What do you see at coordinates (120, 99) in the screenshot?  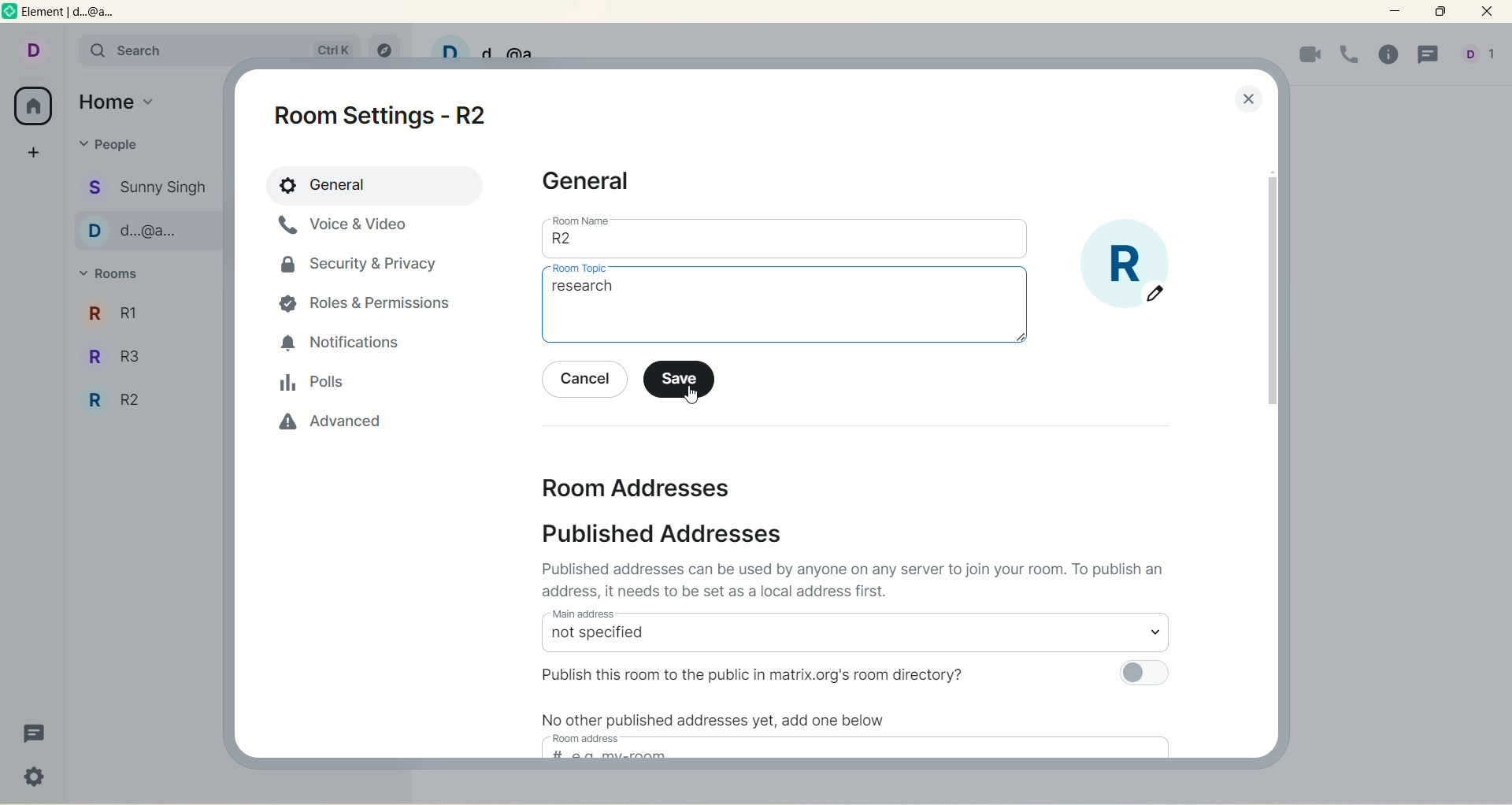 I see `home` at bounding box center [120, 99].